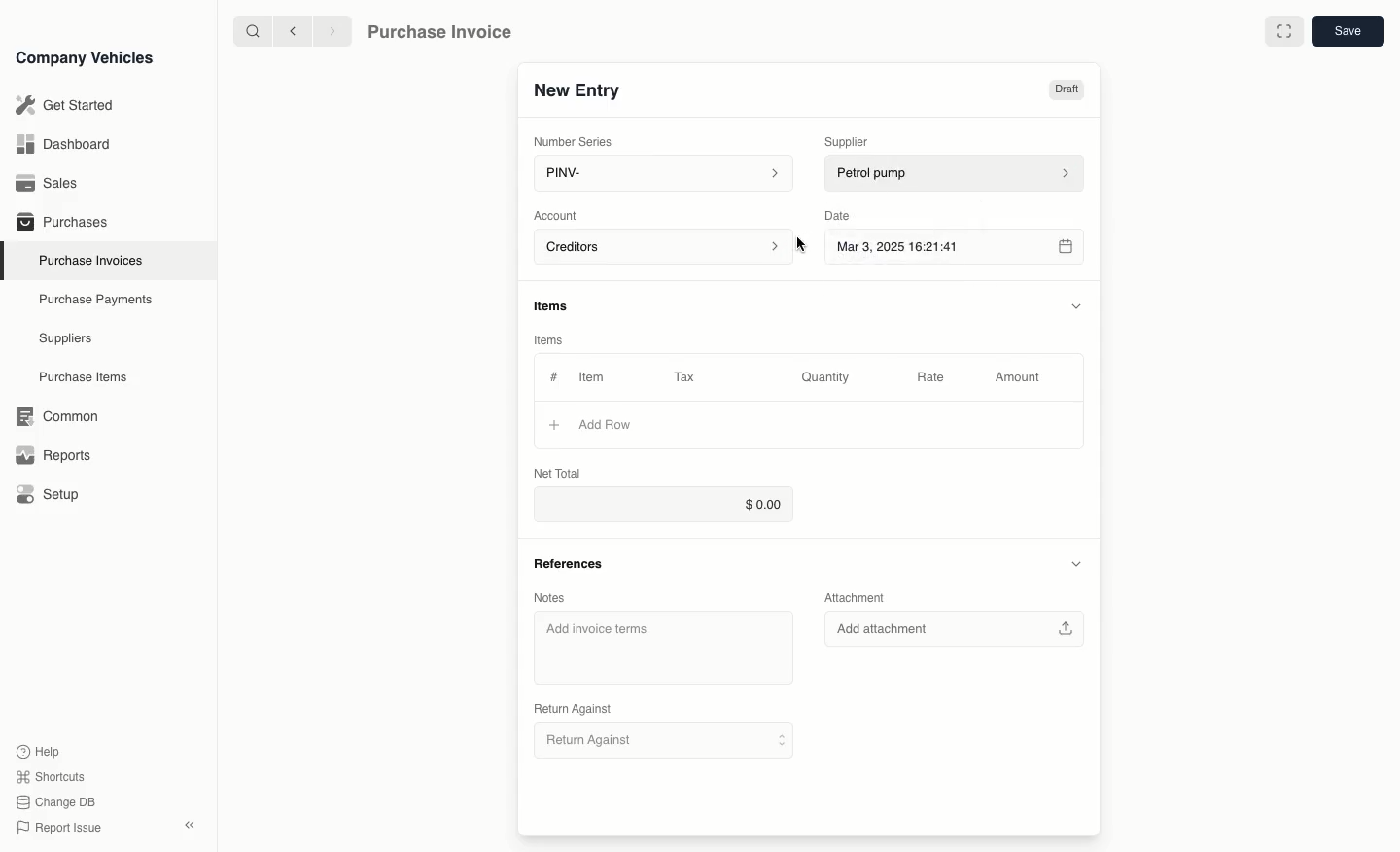  Describe the element at coordinates (592, 425) in the screenshot. I see `Add Row` at that location.